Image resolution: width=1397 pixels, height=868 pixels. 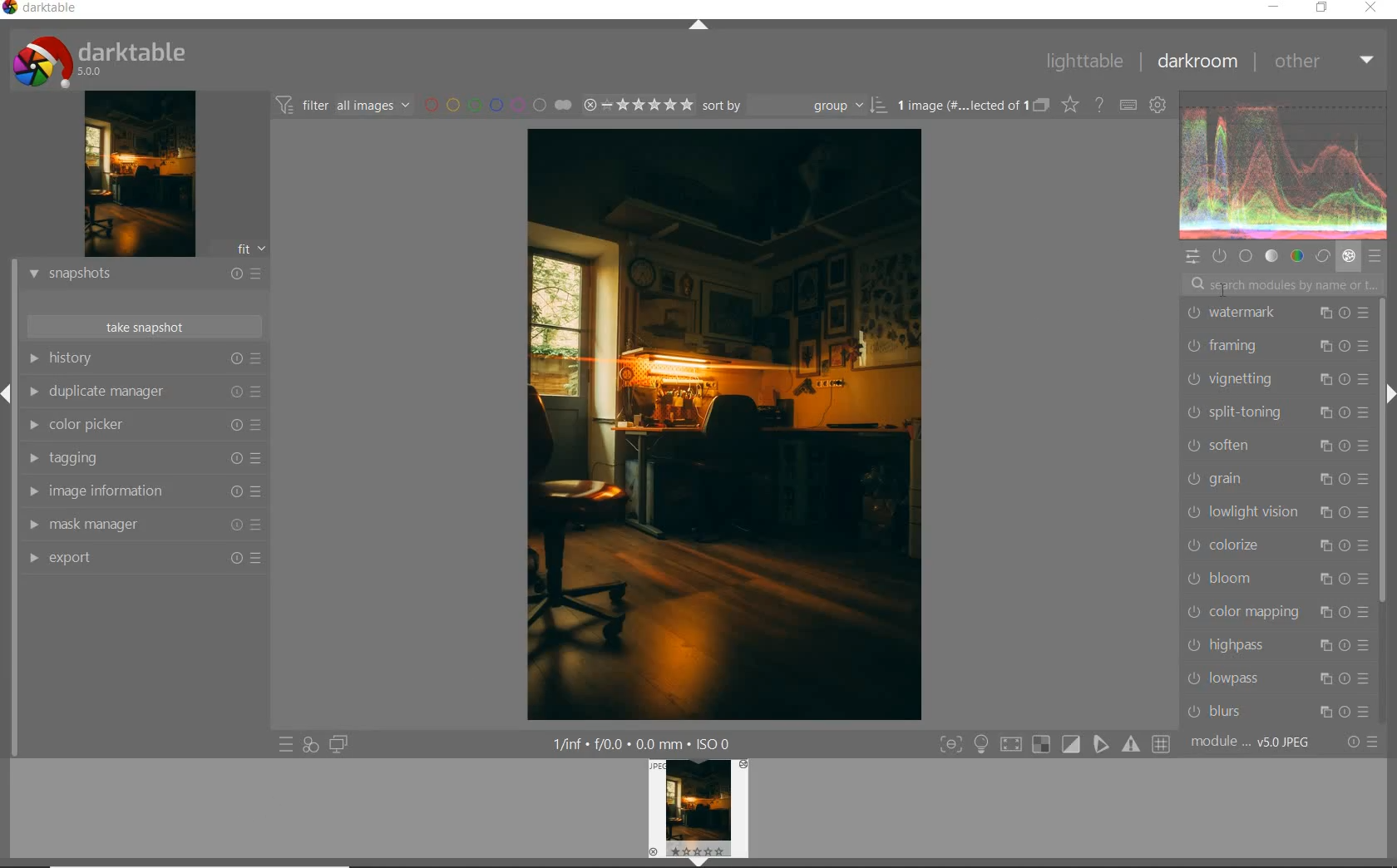 I want to click on framing, so click(x=1277, y=348).